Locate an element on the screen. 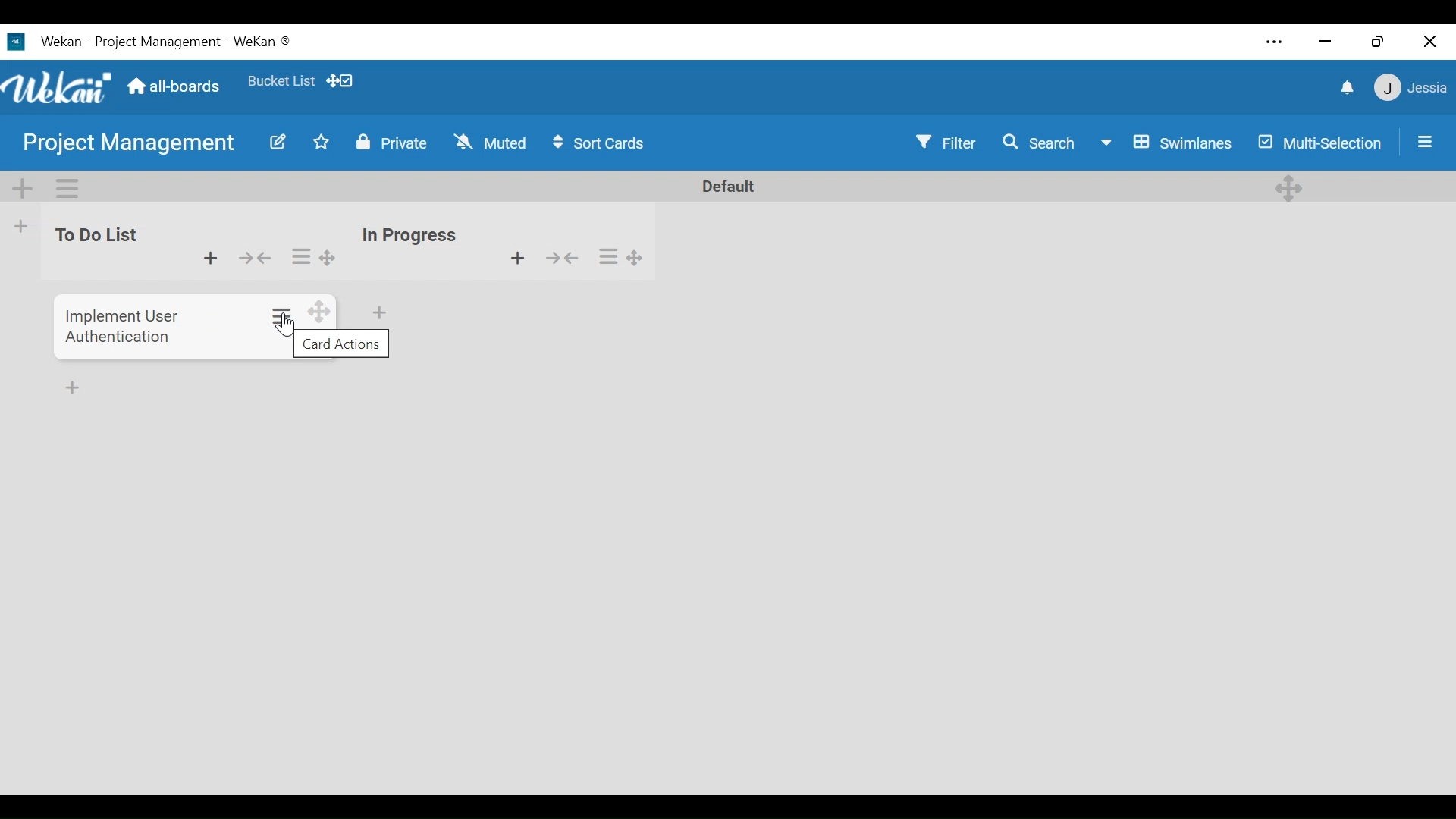  $ Sort Cards is located at coordinates (605, 142).